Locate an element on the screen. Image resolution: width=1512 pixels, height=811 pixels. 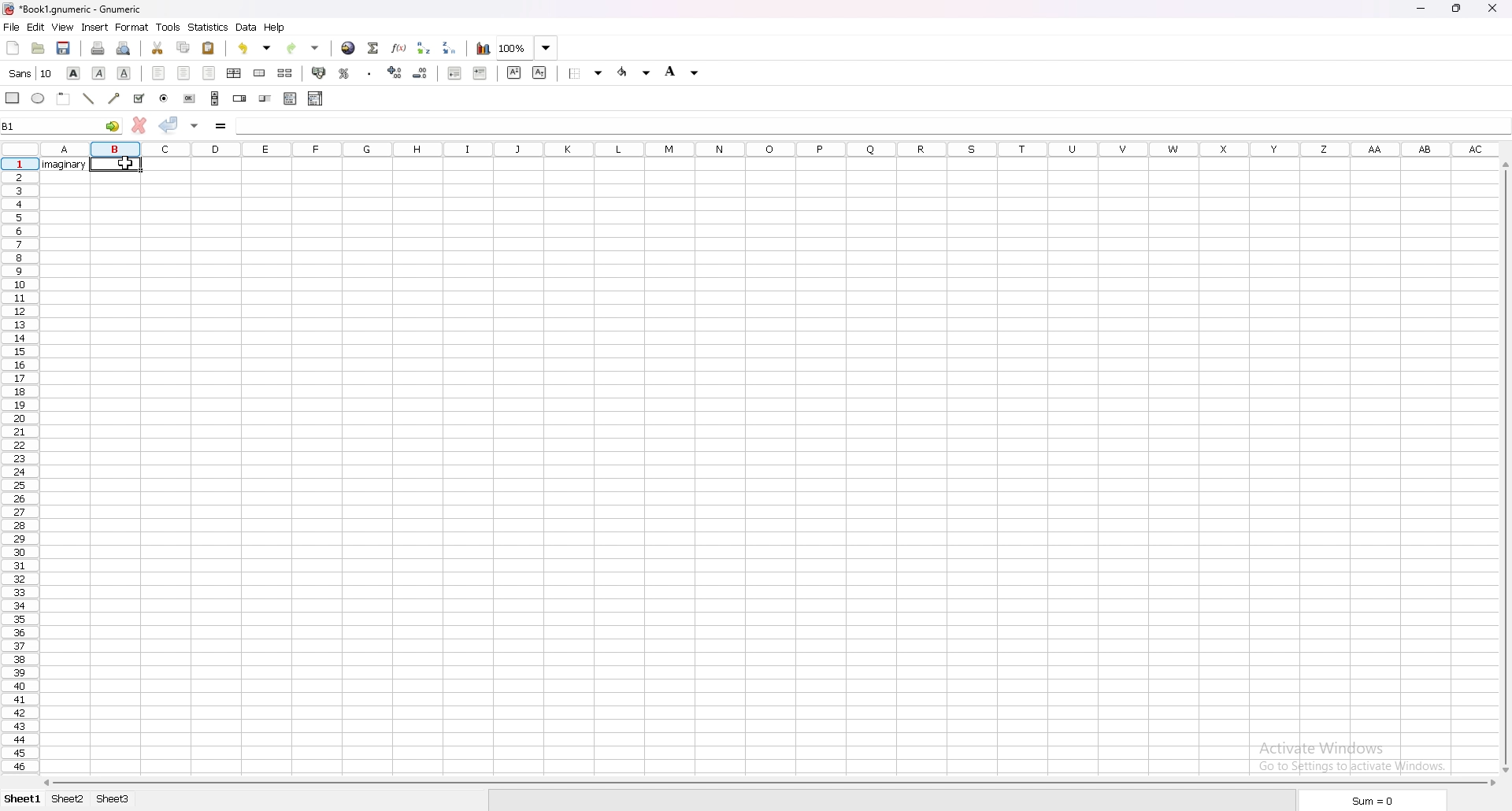
centre horizontally is located at coordinates (235, 72).